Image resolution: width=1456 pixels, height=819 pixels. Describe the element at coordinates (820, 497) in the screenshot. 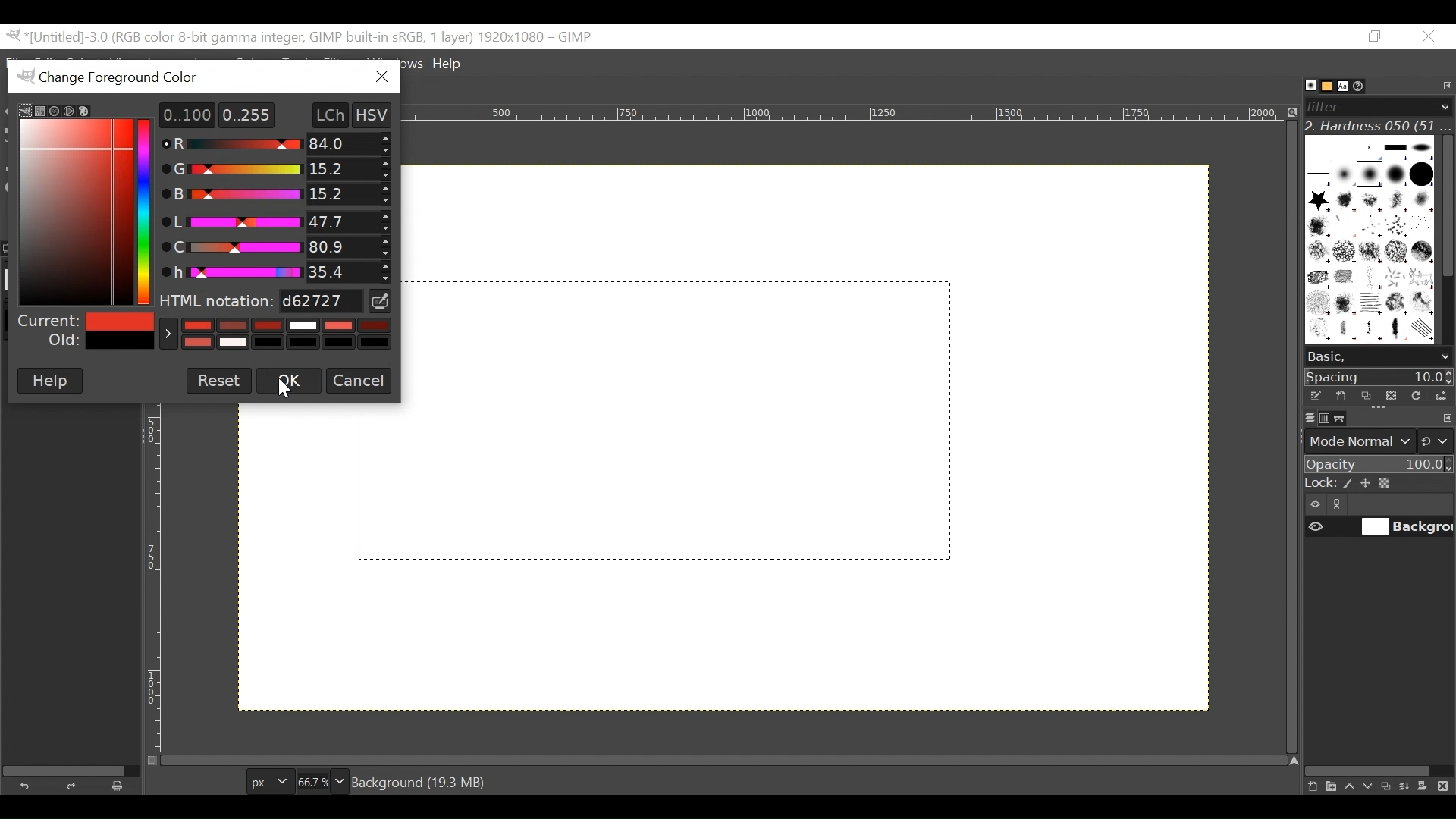

I see `Background` at that location.